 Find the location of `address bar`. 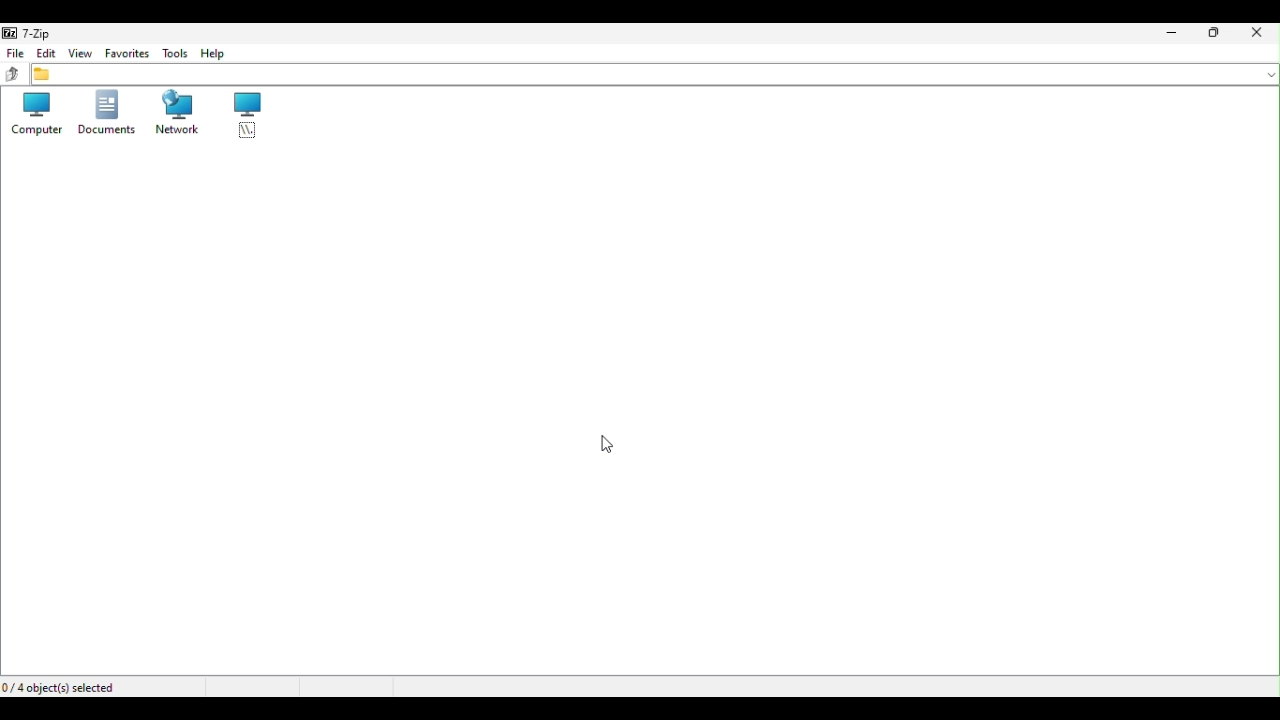

address bar is located at coordinates (653, 75).